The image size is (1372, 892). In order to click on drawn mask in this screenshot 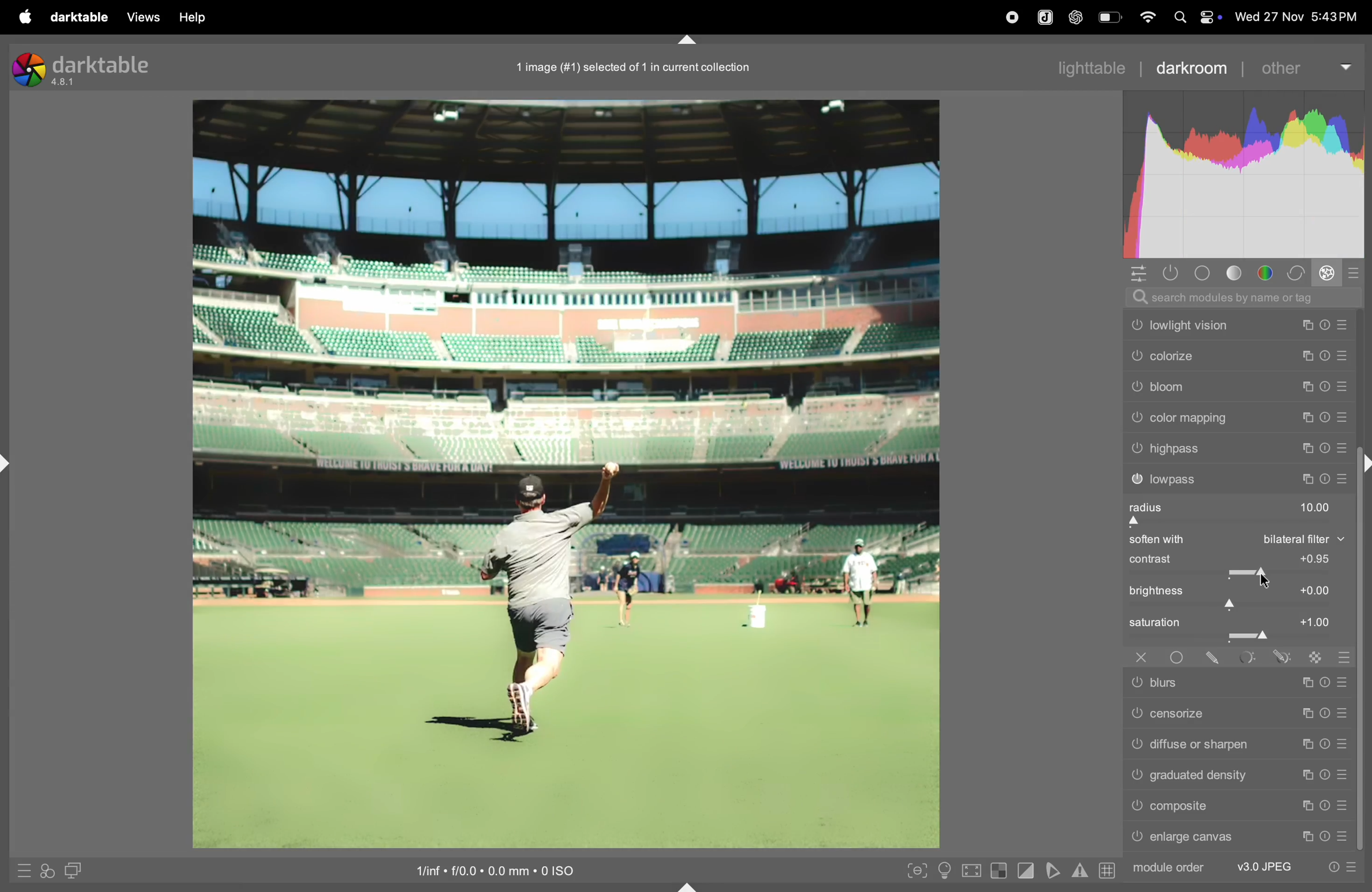, I will do `click(1213, 658)`.